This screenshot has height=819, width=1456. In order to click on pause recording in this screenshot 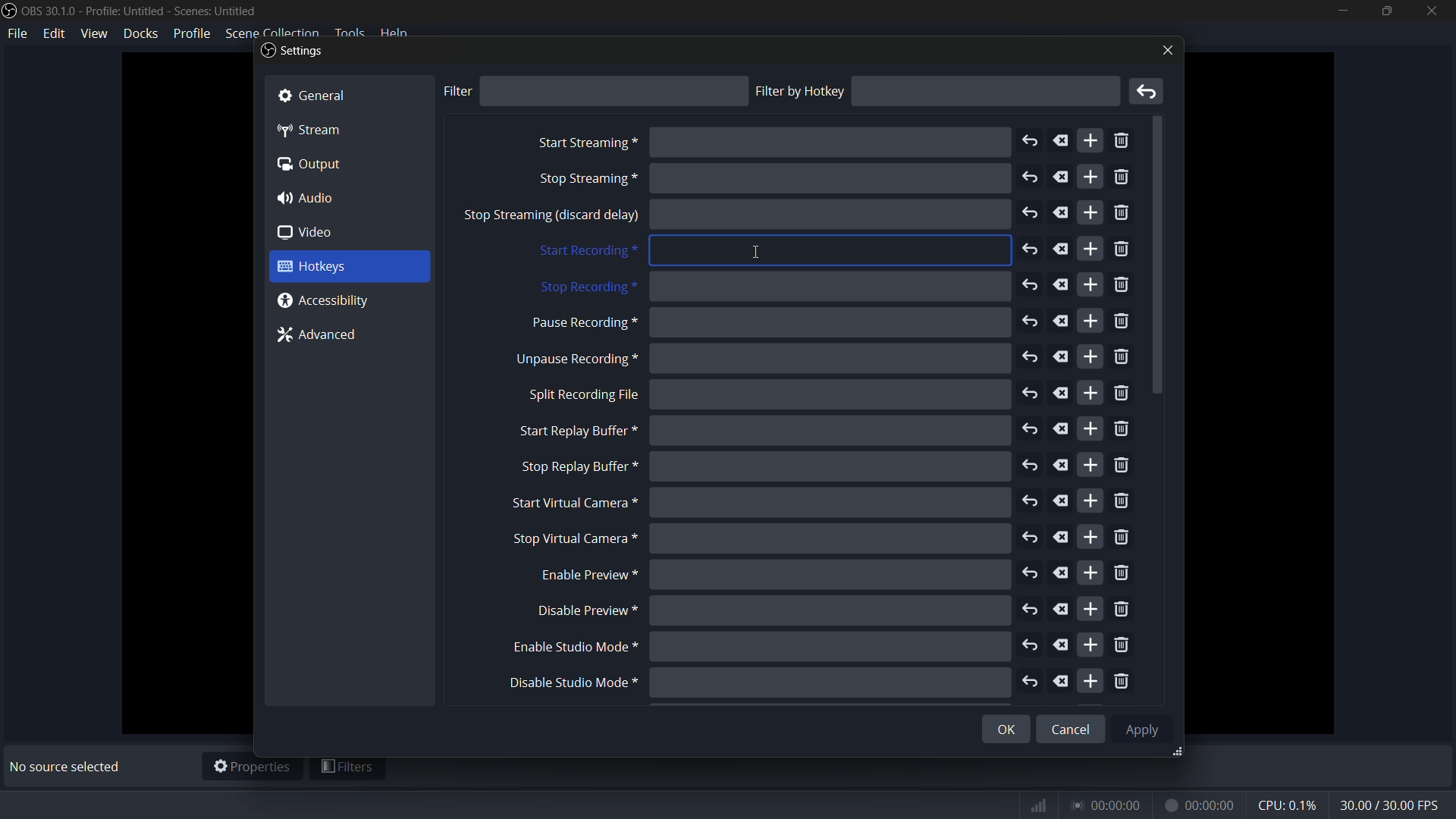, I will do `click(581, 324)`.